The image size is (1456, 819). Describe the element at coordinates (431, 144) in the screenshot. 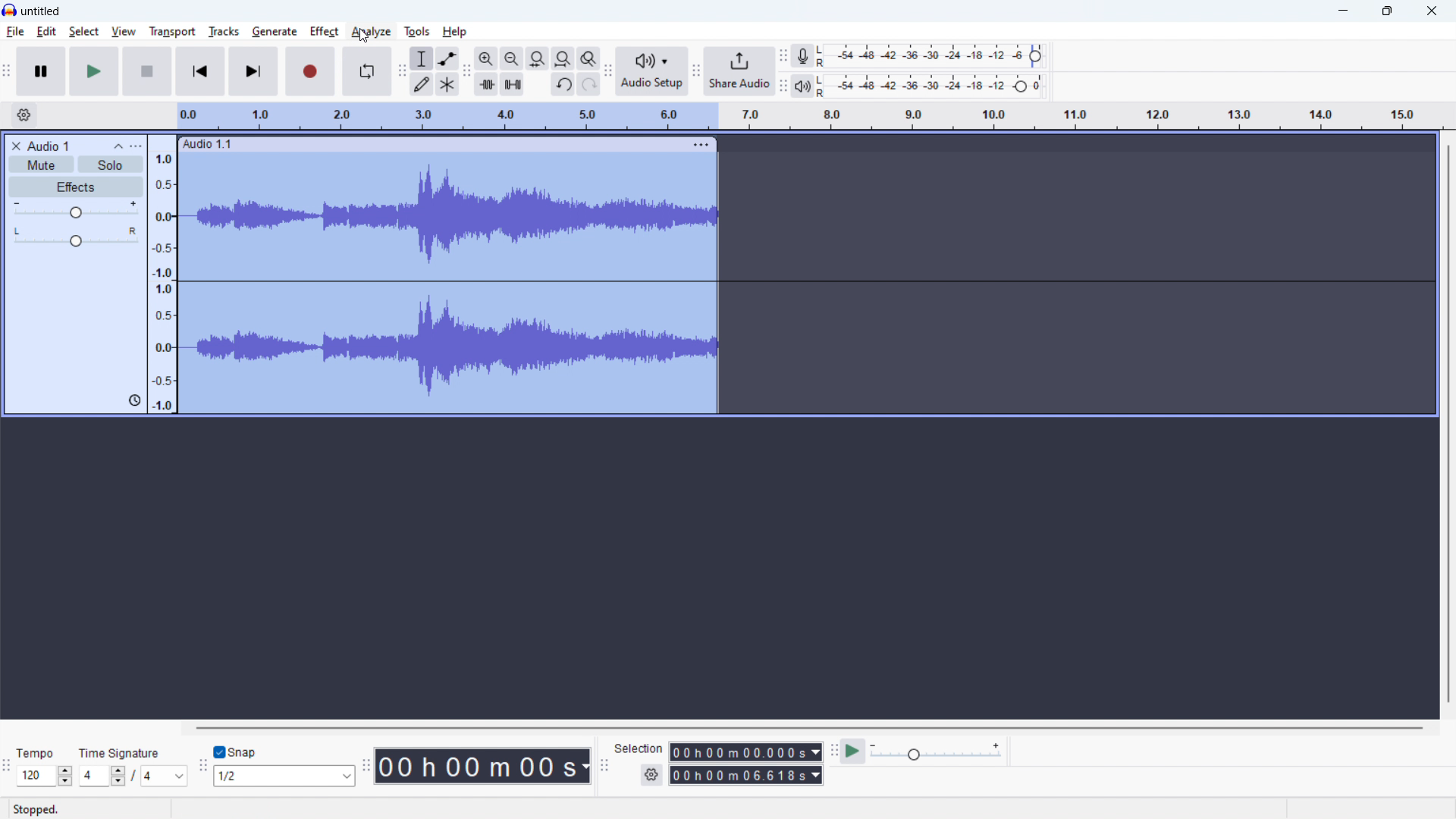

I see `click to move` at that location.